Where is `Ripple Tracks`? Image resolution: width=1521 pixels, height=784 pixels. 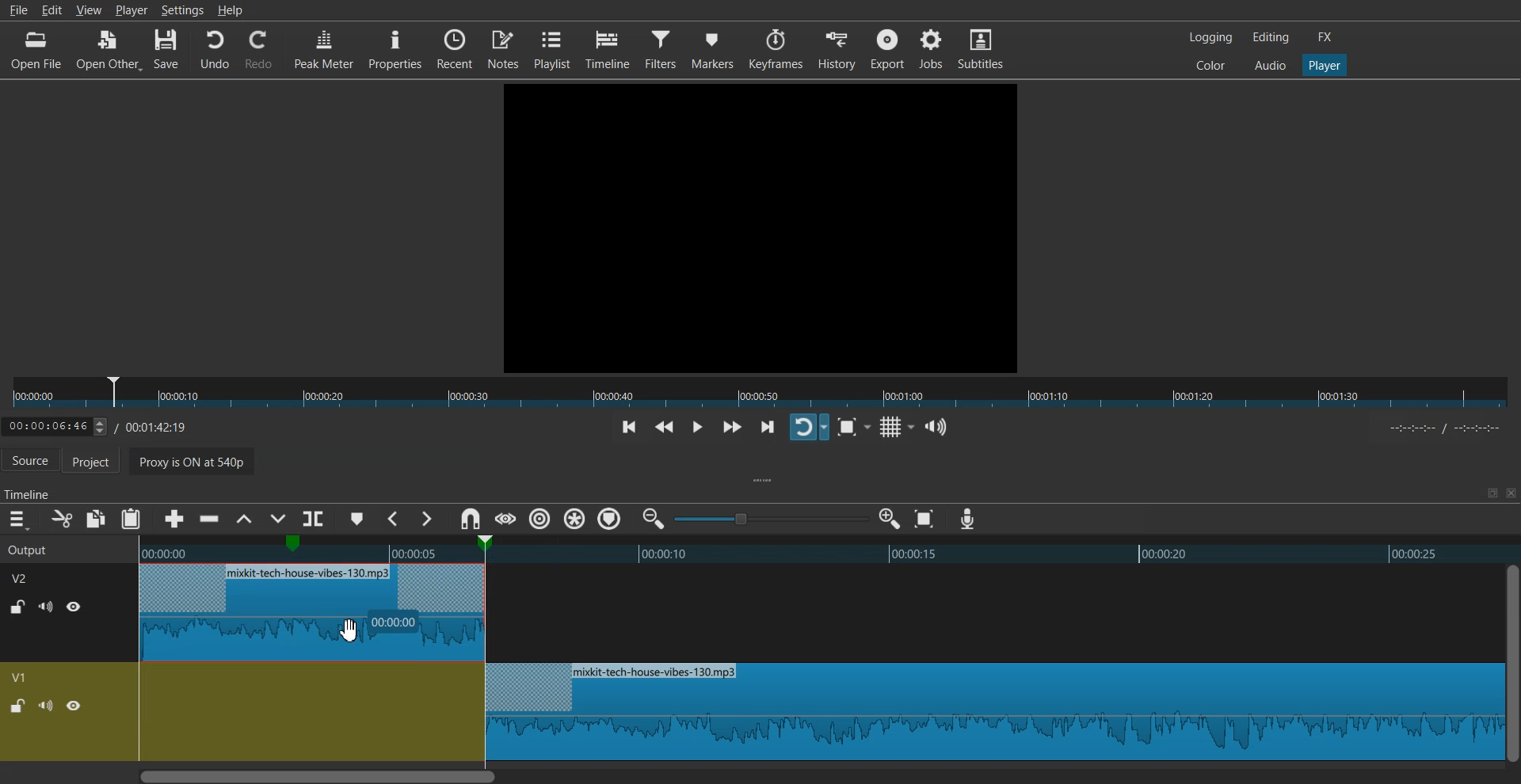 Ripple Tracks is located at coordinates (611, 519).